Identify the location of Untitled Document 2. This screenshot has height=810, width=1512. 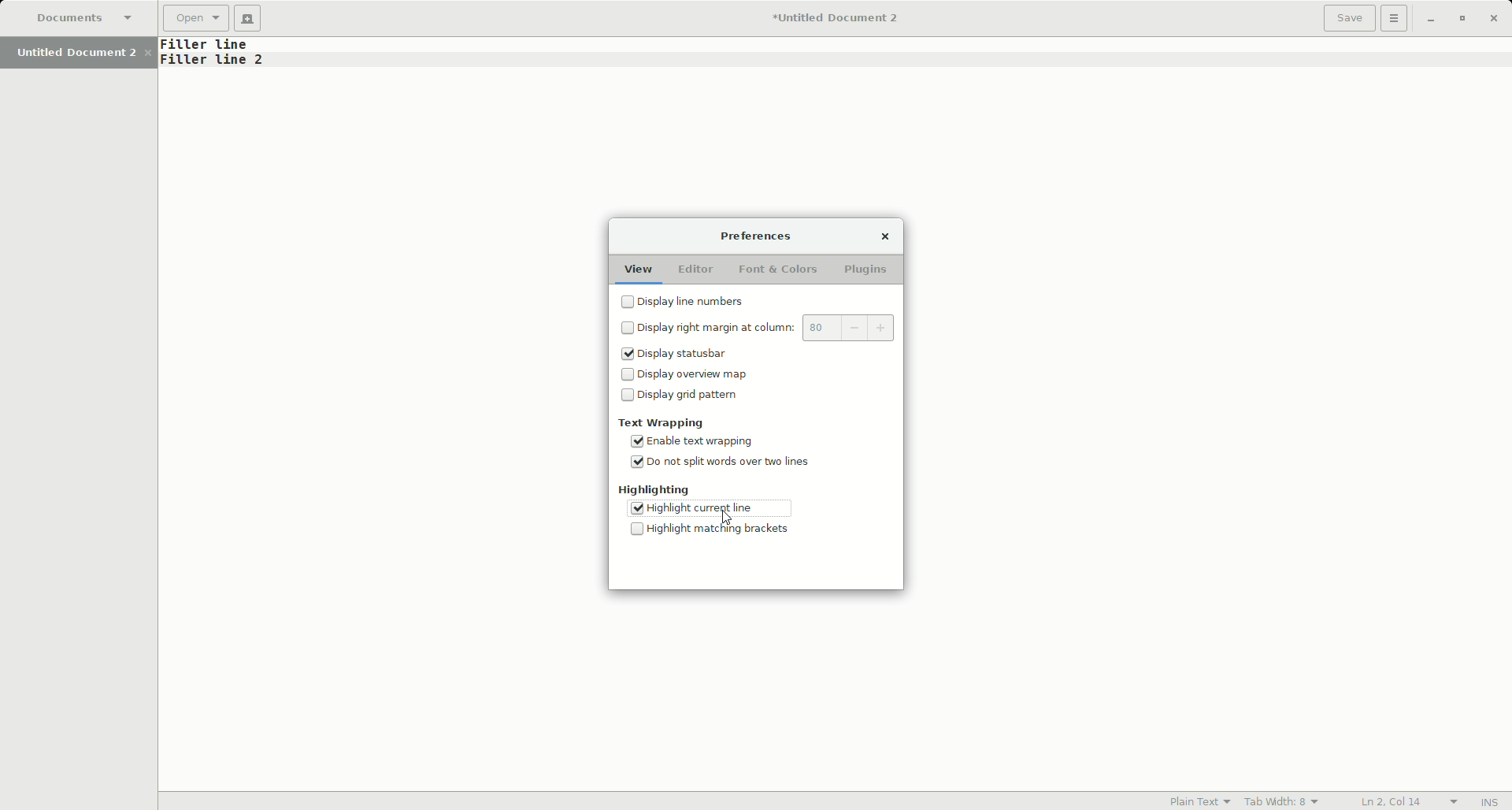
(83, 52).